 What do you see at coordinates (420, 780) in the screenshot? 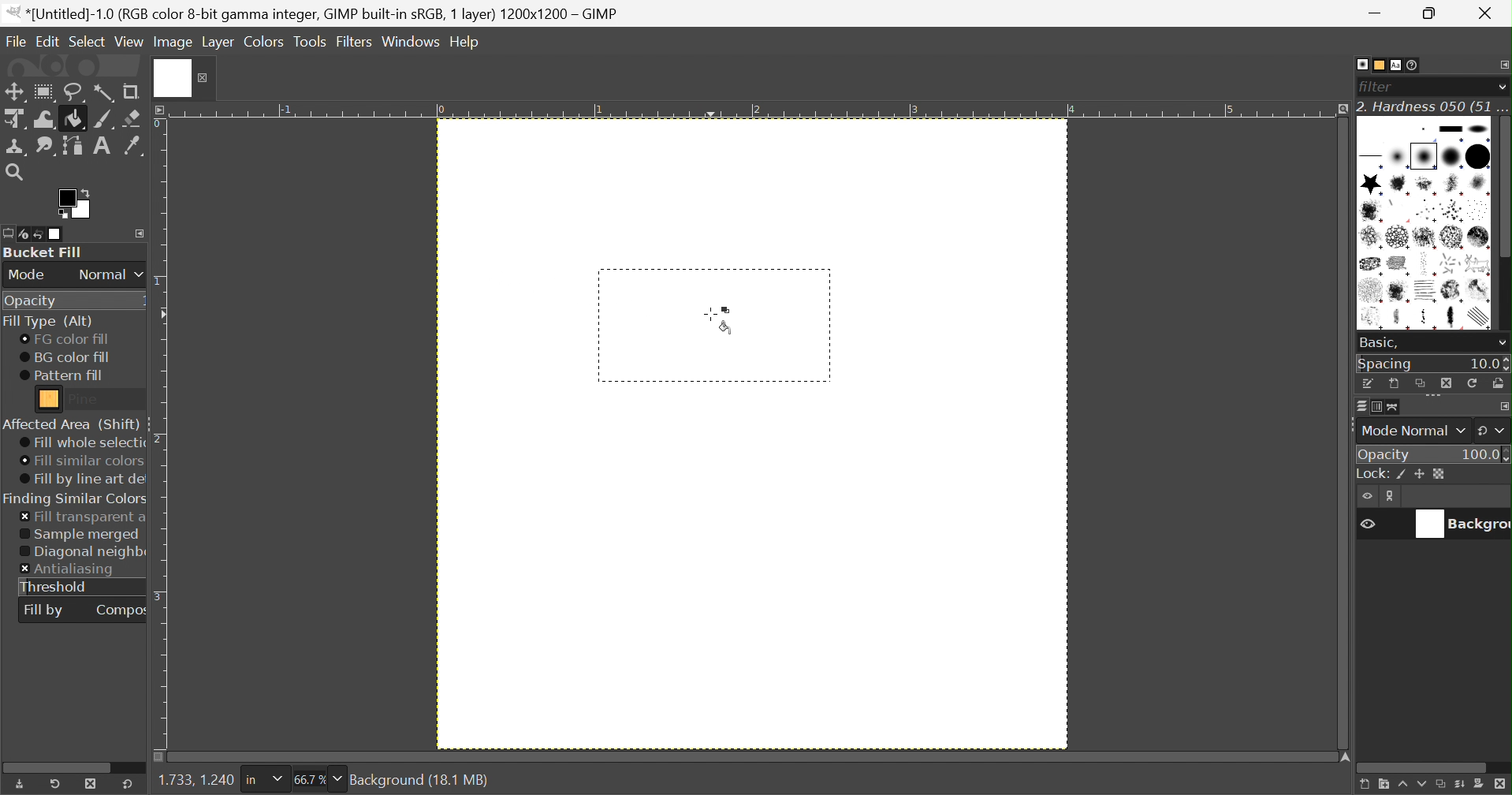
I see `Background (18.1 MB)` at bounding box center [420, 780].